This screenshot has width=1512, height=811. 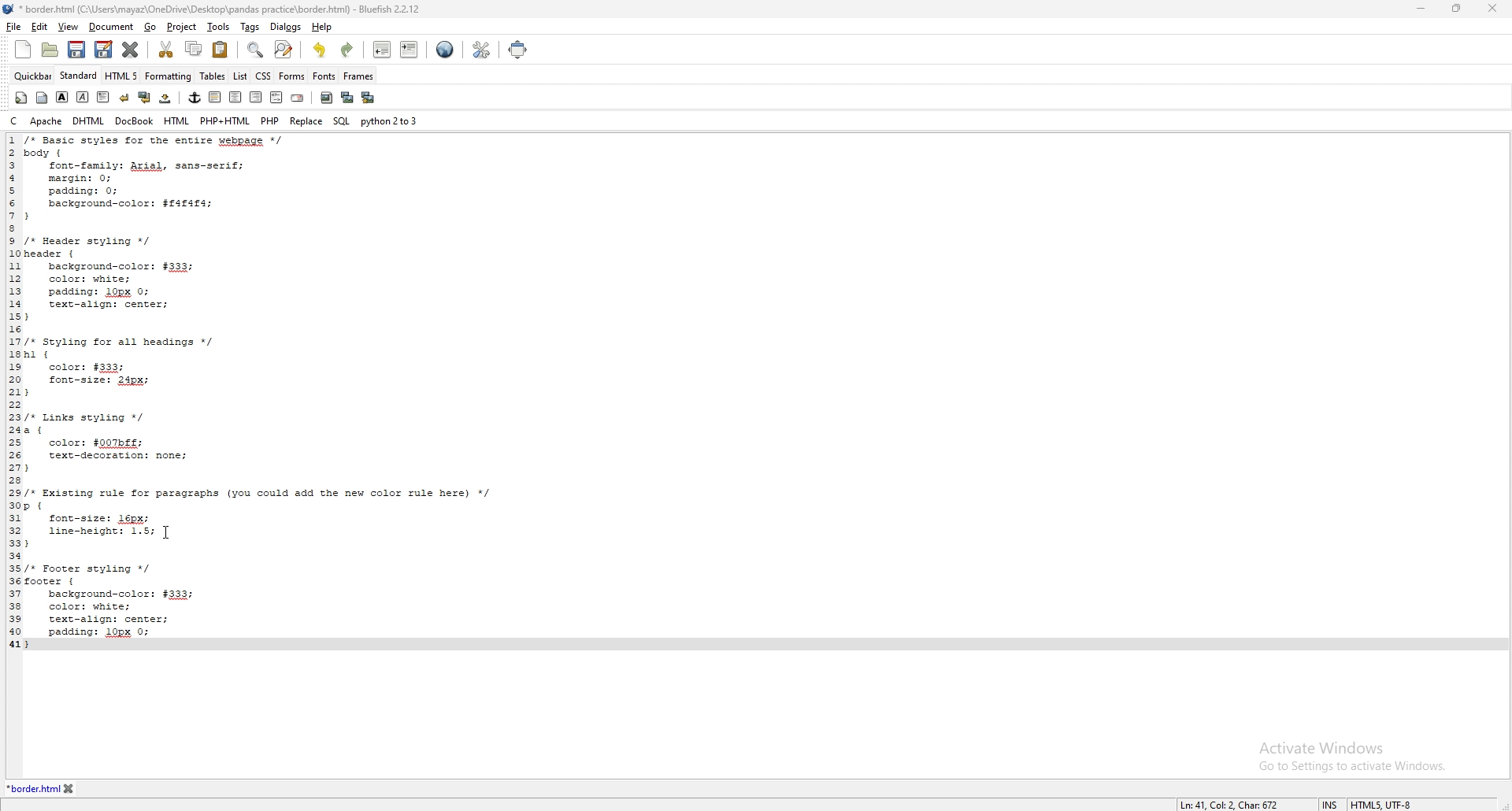 I want to click on tables, so click(x=213, y=76).